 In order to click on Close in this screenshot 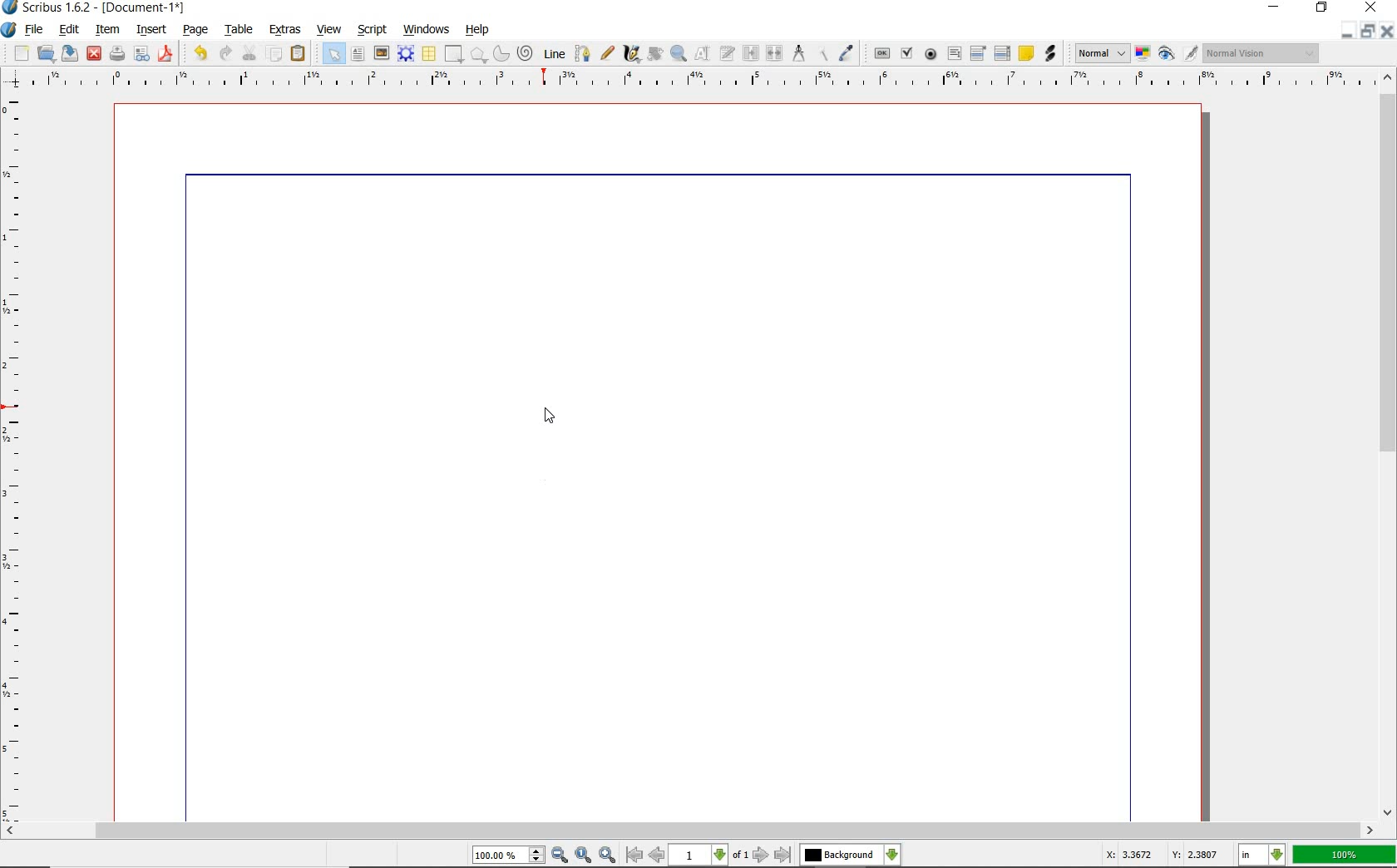, I will do `click(1389, 31)`.